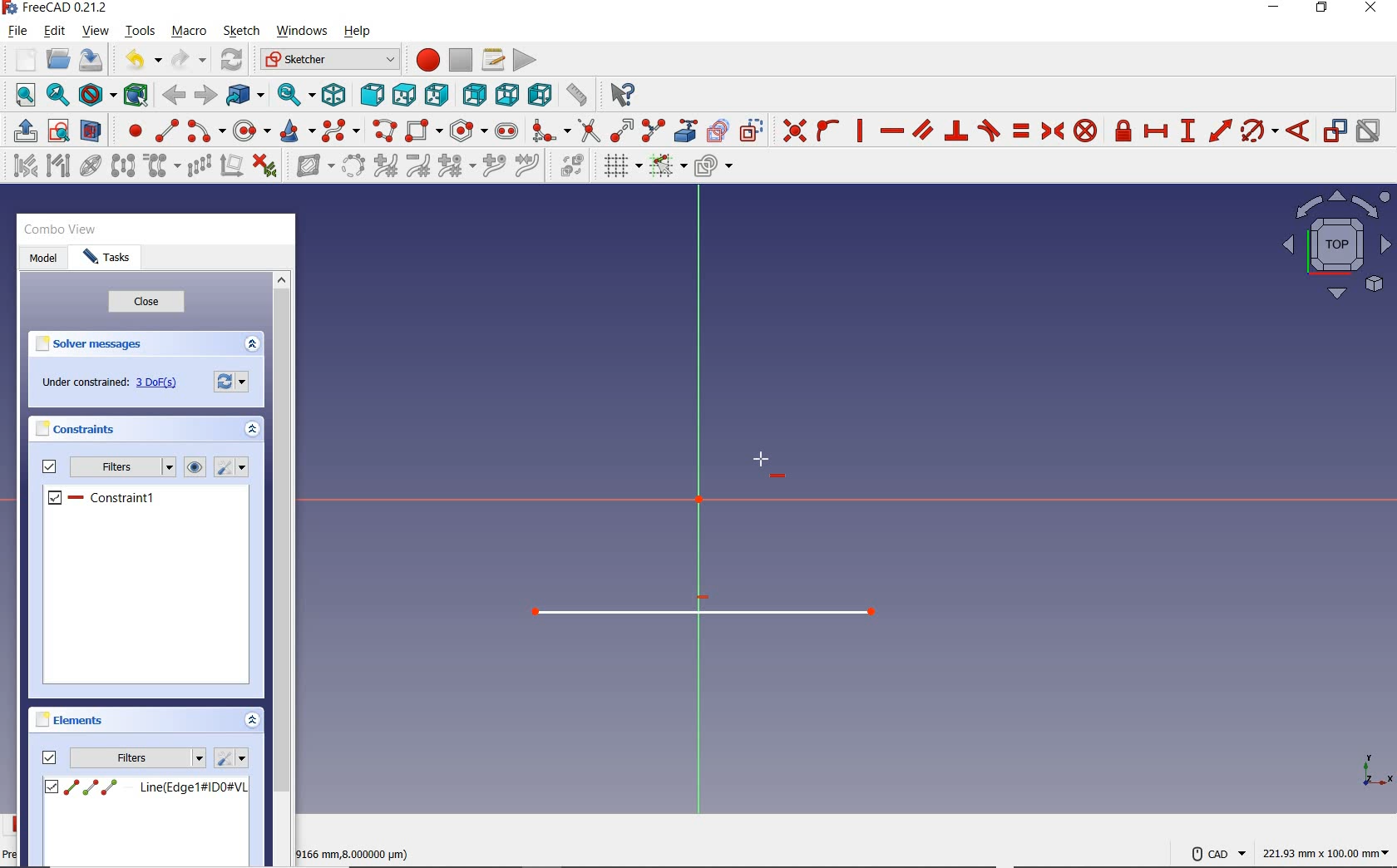 The width and height of the screenshot is (1397, 868). Describe the element at coordinates (190, 32) in the screenshot. I see `MACRO` at that location.